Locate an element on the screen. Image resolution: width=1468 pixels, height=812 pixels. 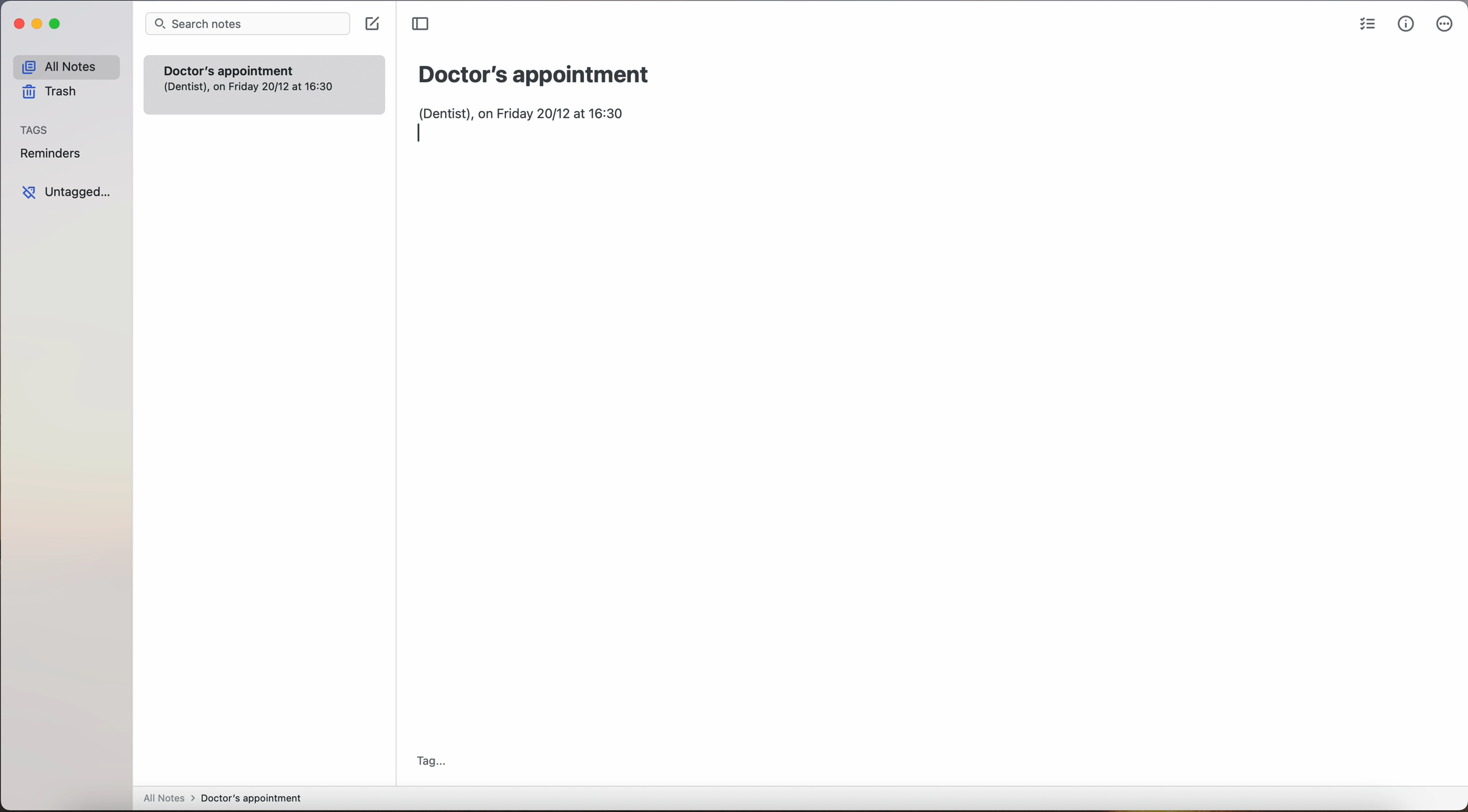
all notes > doctor's appointment is located at coordinates (222, 799).